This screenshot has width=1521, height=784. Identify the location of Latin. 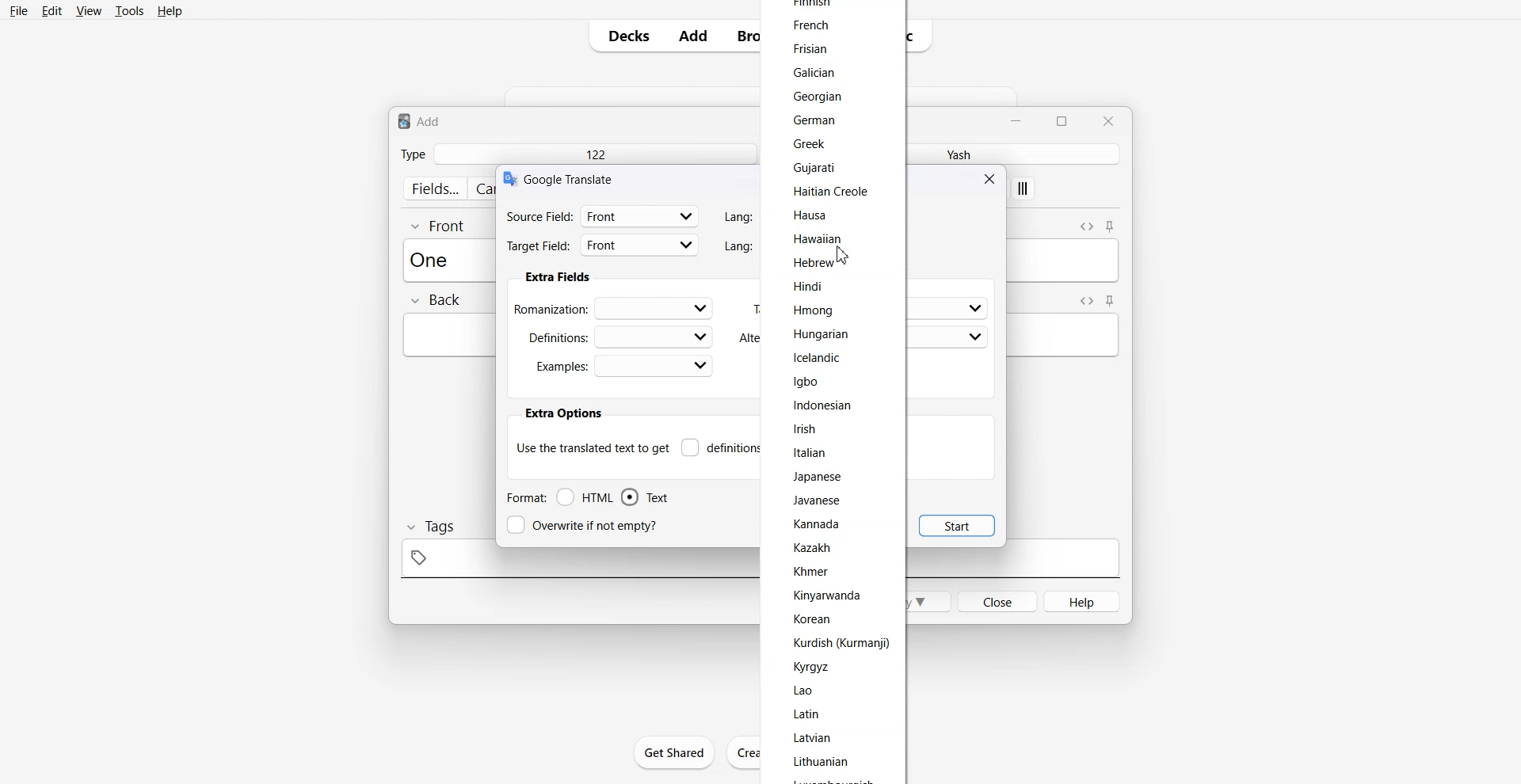
(808, 714).